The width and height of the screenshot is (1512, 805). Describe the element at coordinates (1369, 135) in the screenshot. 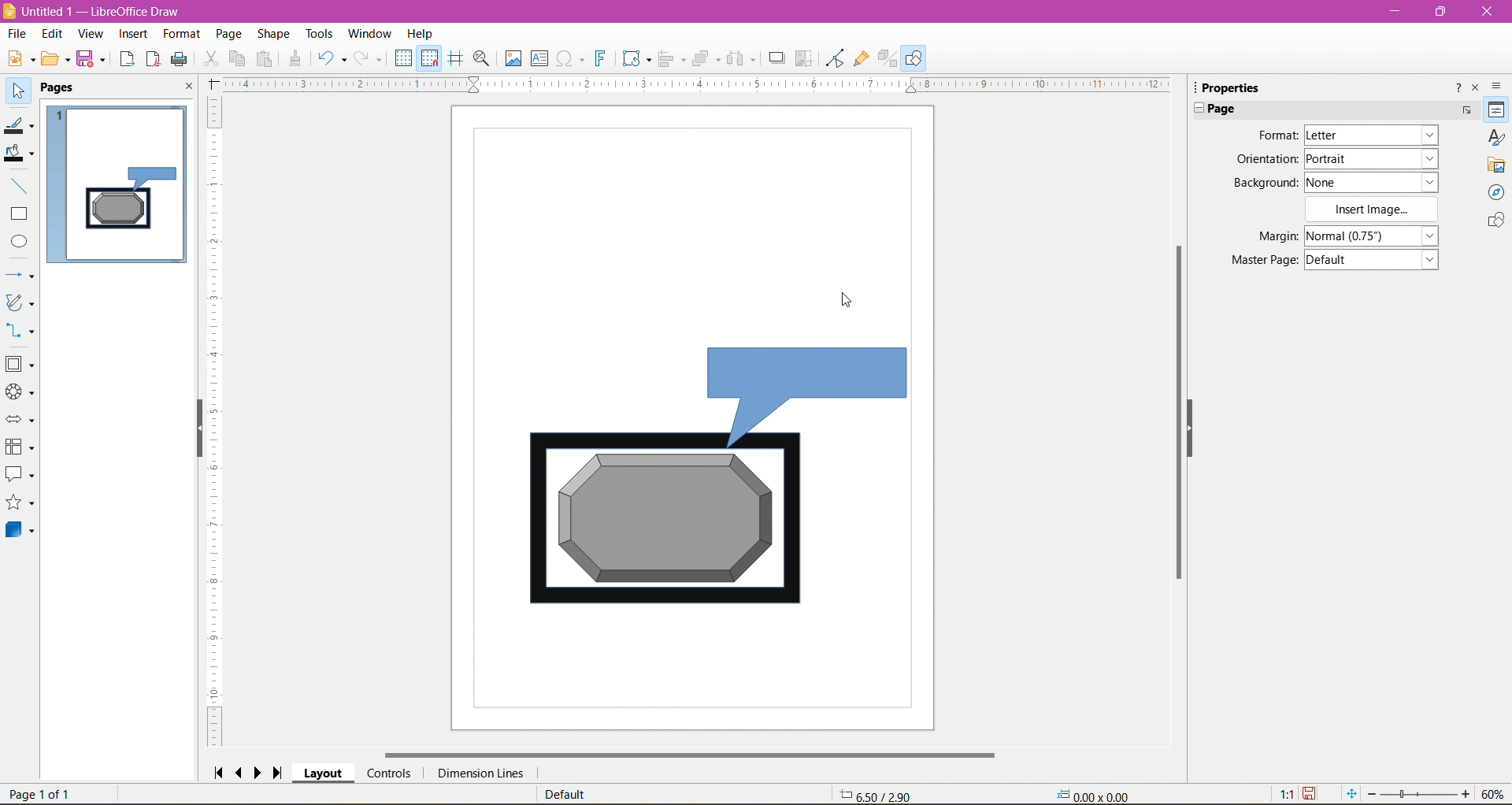

I see `Select page format type` at that location.